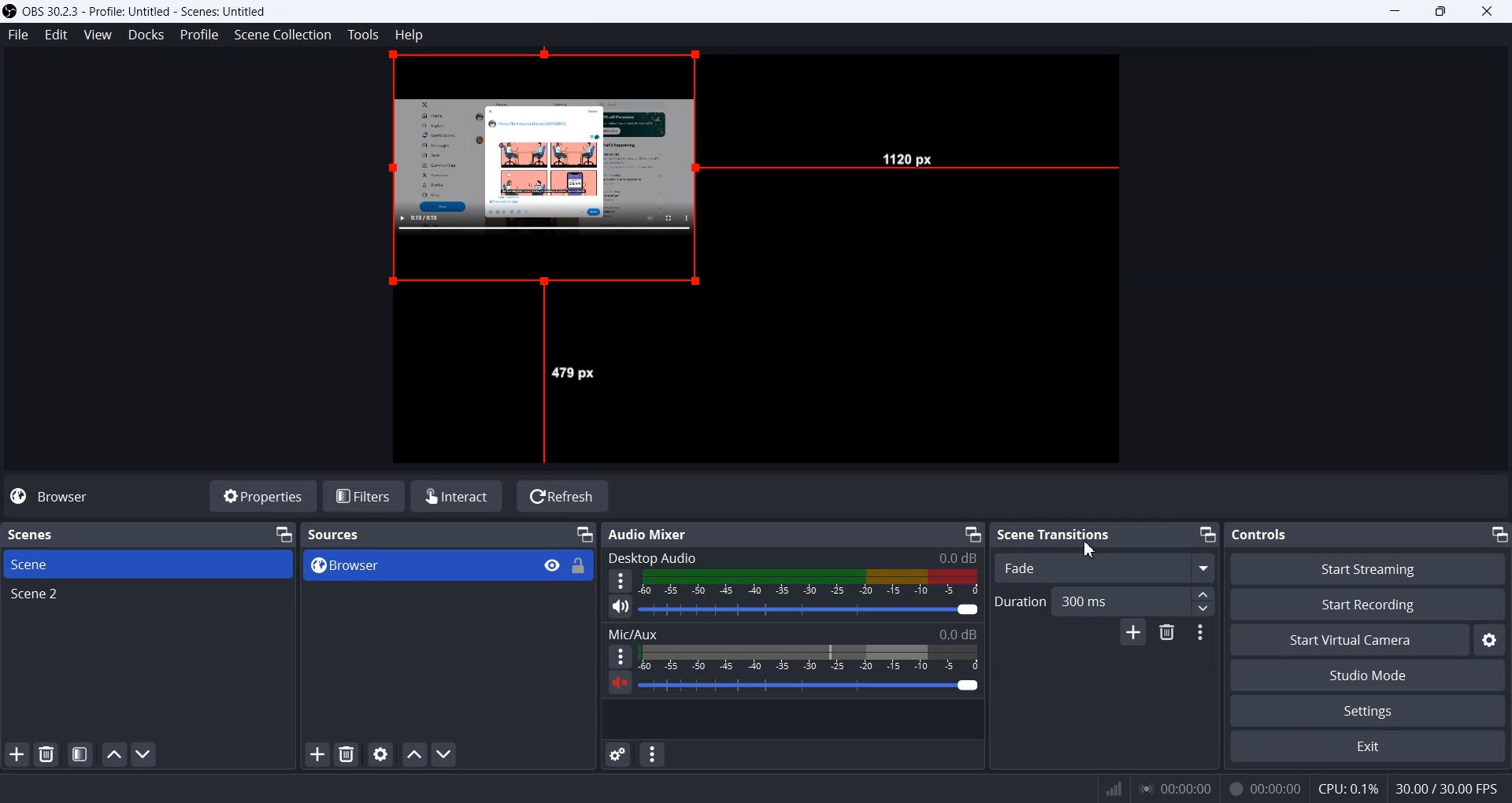  I want to click on Add Scene, so click(17, 754).